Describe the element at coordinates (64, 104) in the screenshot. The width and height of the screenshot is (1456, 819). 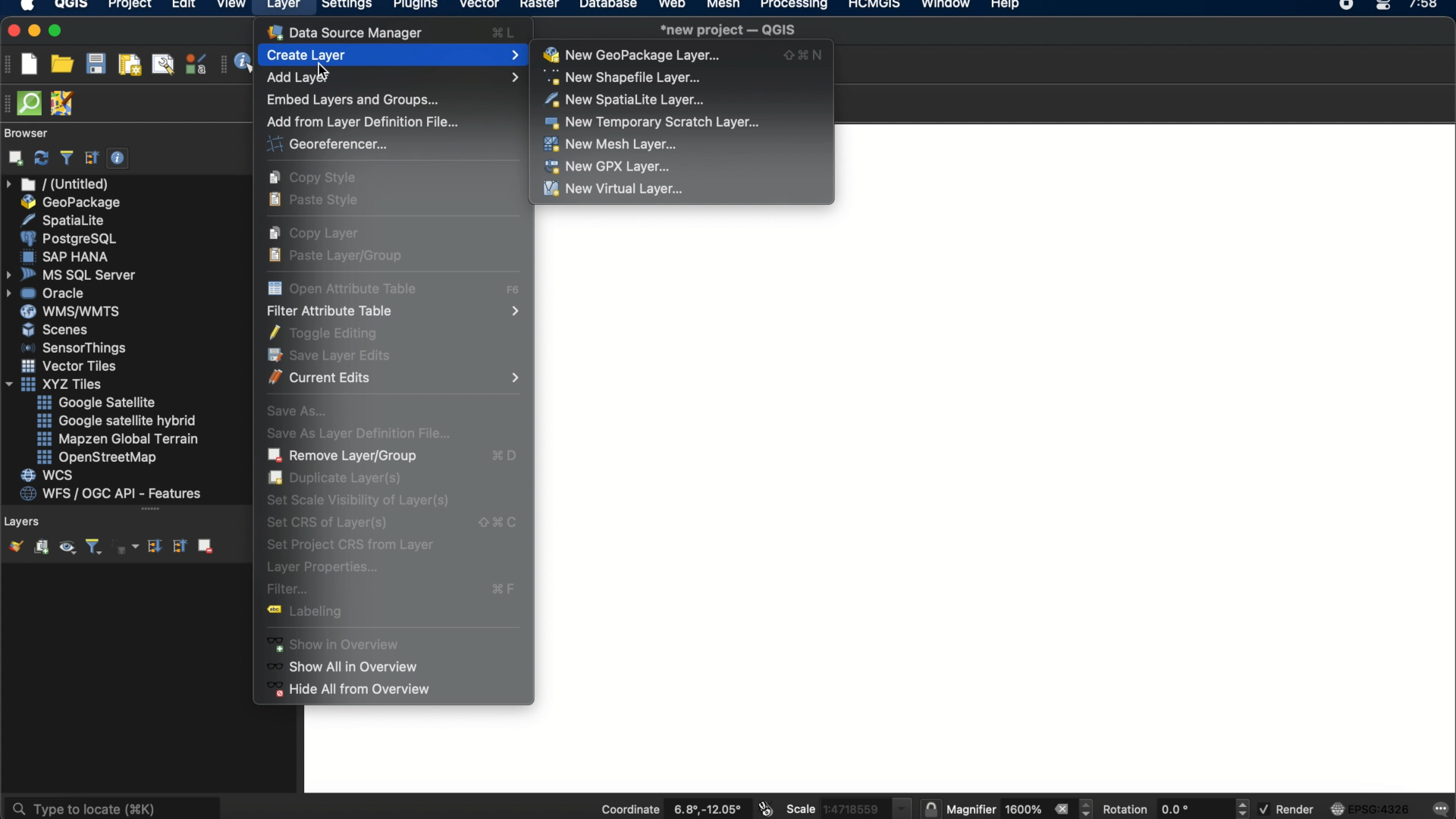
I see `JOSM remote` at that location.